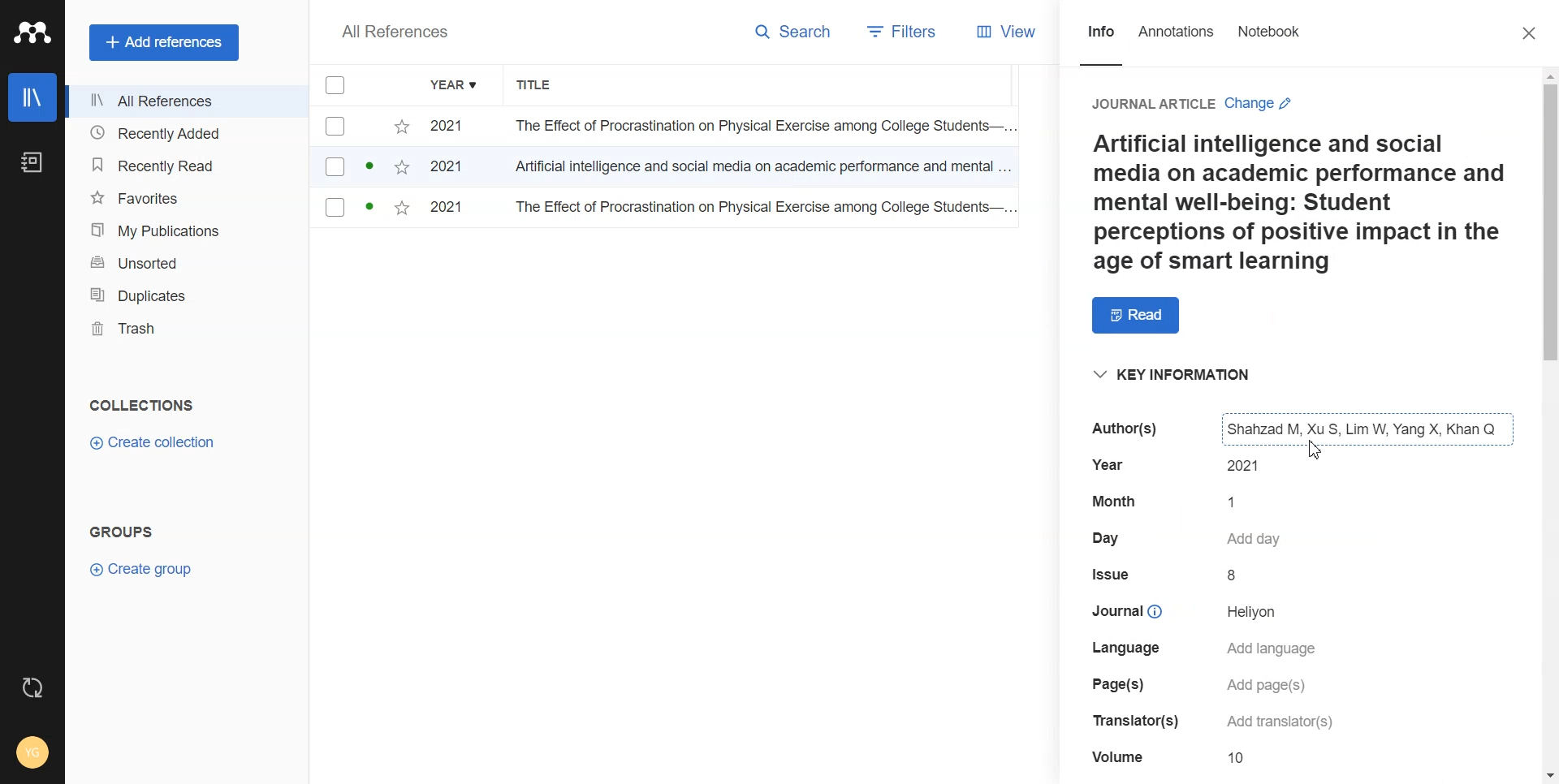  Describe the element at coordinates (1101, 40) in the screenshot. I see `Info` at that location.